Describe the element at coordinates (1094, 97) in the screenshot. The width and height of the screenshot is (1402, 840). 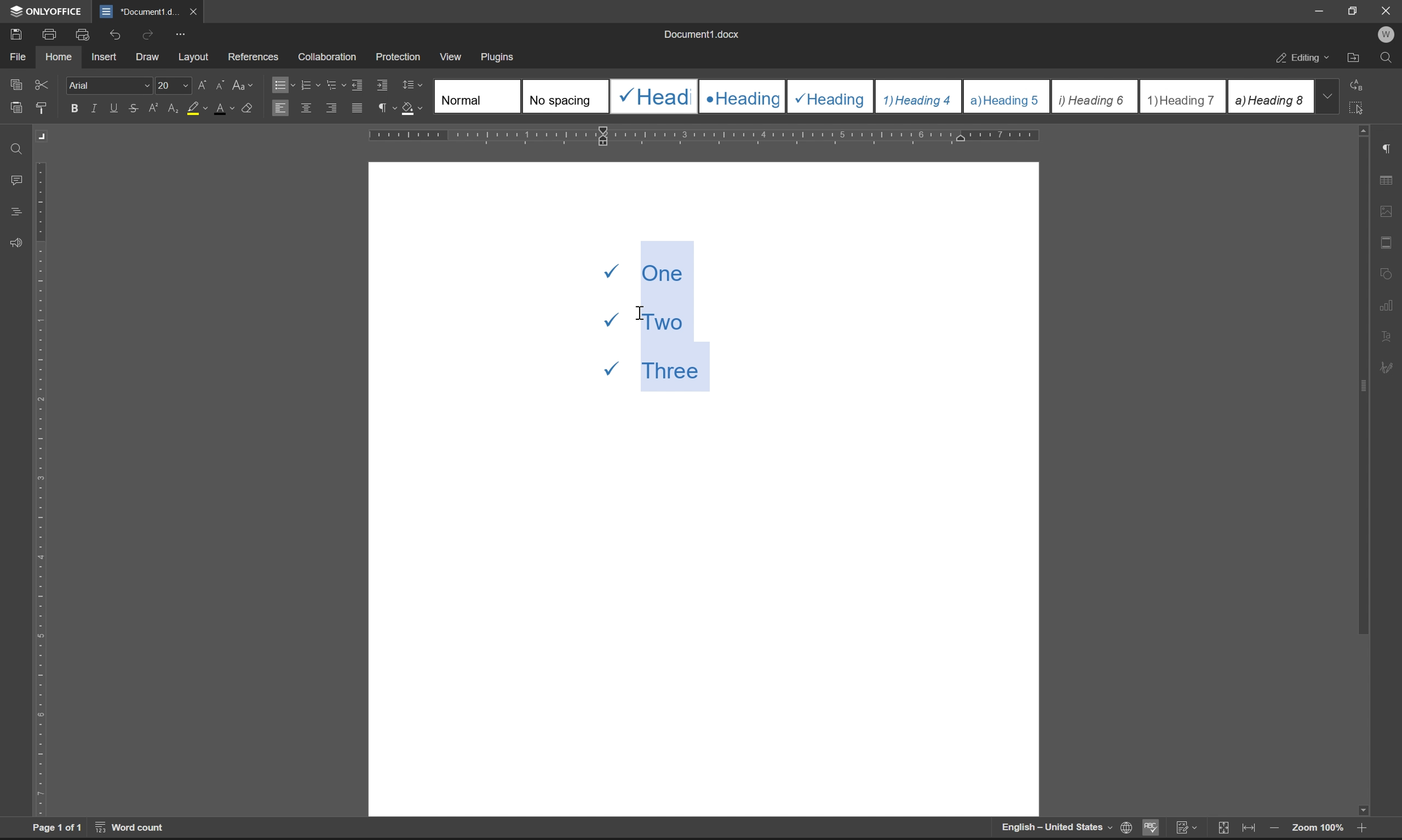
I see `Heading 6` at that location.